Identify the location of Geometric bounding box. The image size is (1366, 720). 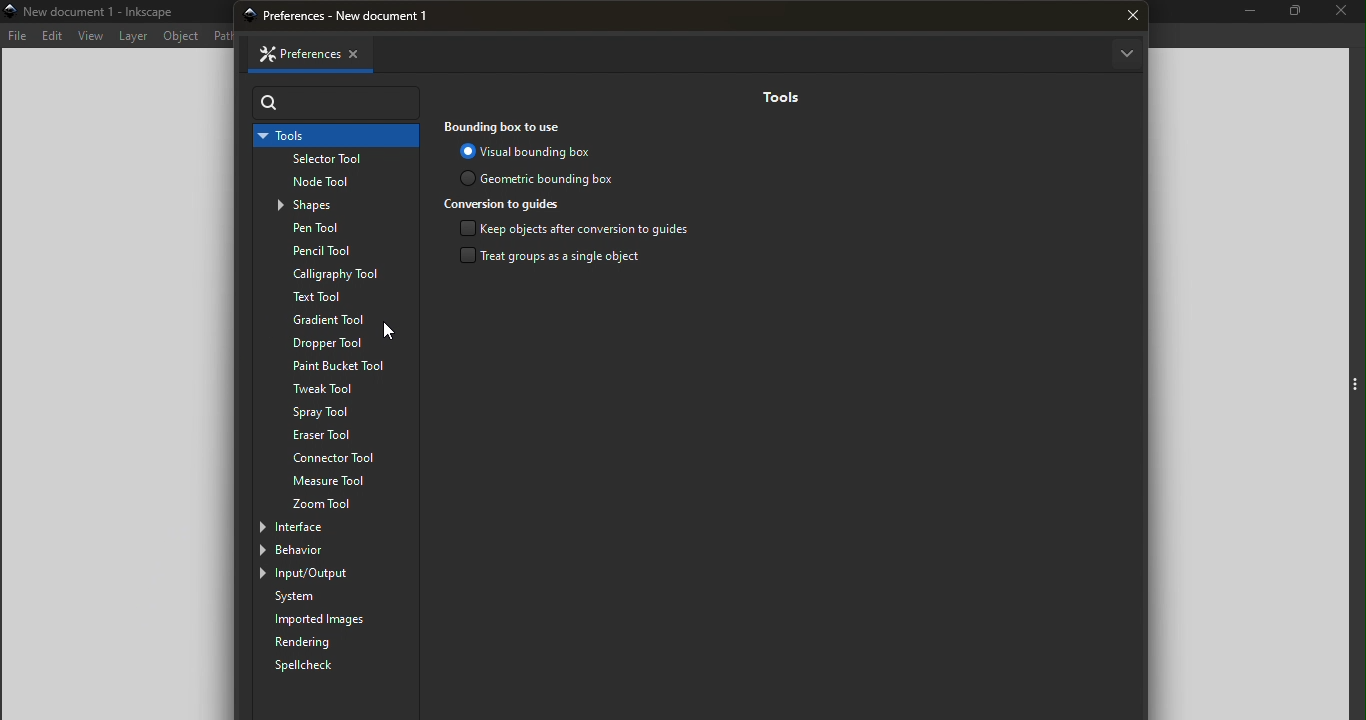
(541, 177).